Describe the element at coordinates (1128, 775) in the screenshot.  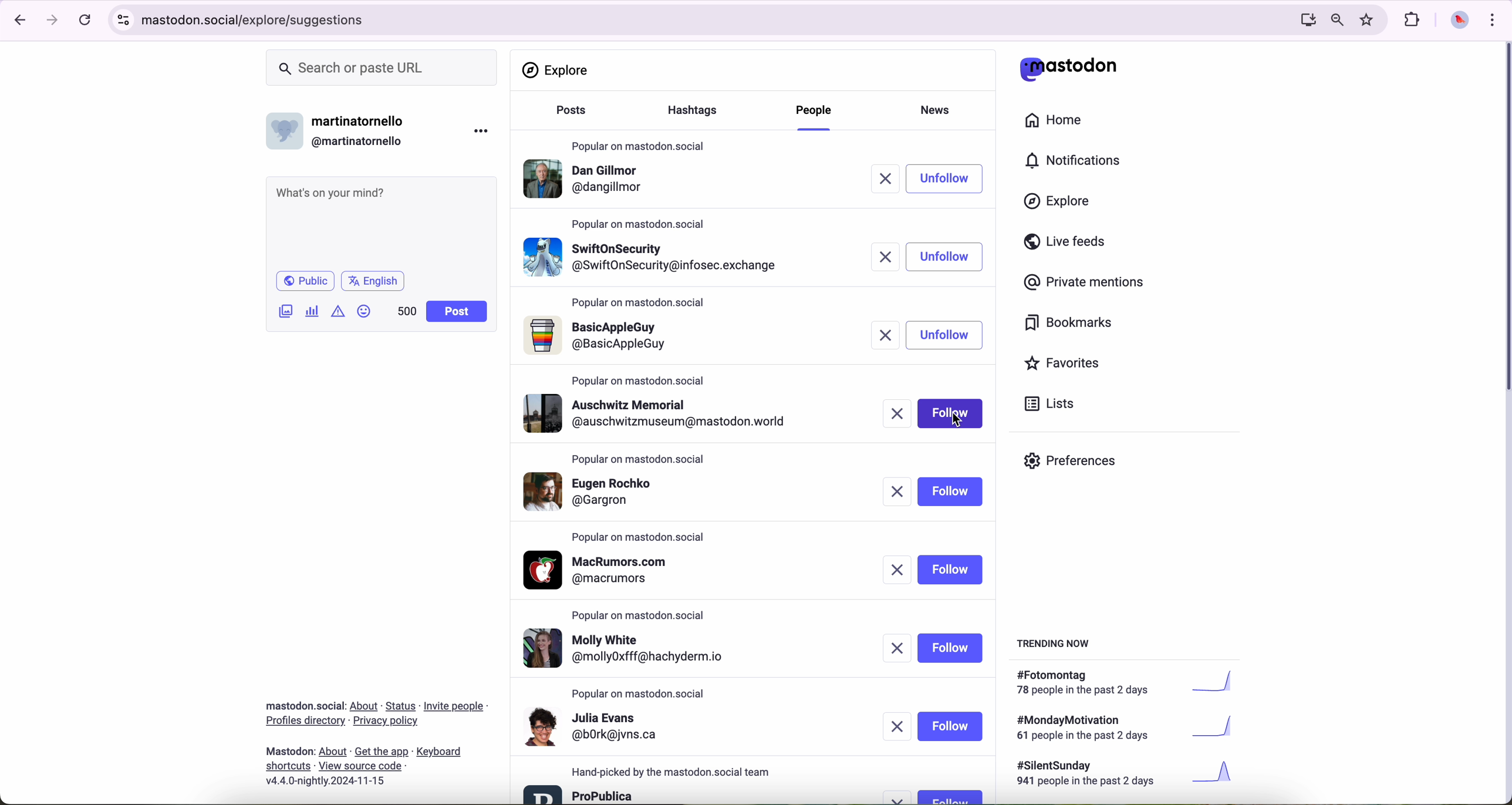
I see `#silentsunday` at that location.